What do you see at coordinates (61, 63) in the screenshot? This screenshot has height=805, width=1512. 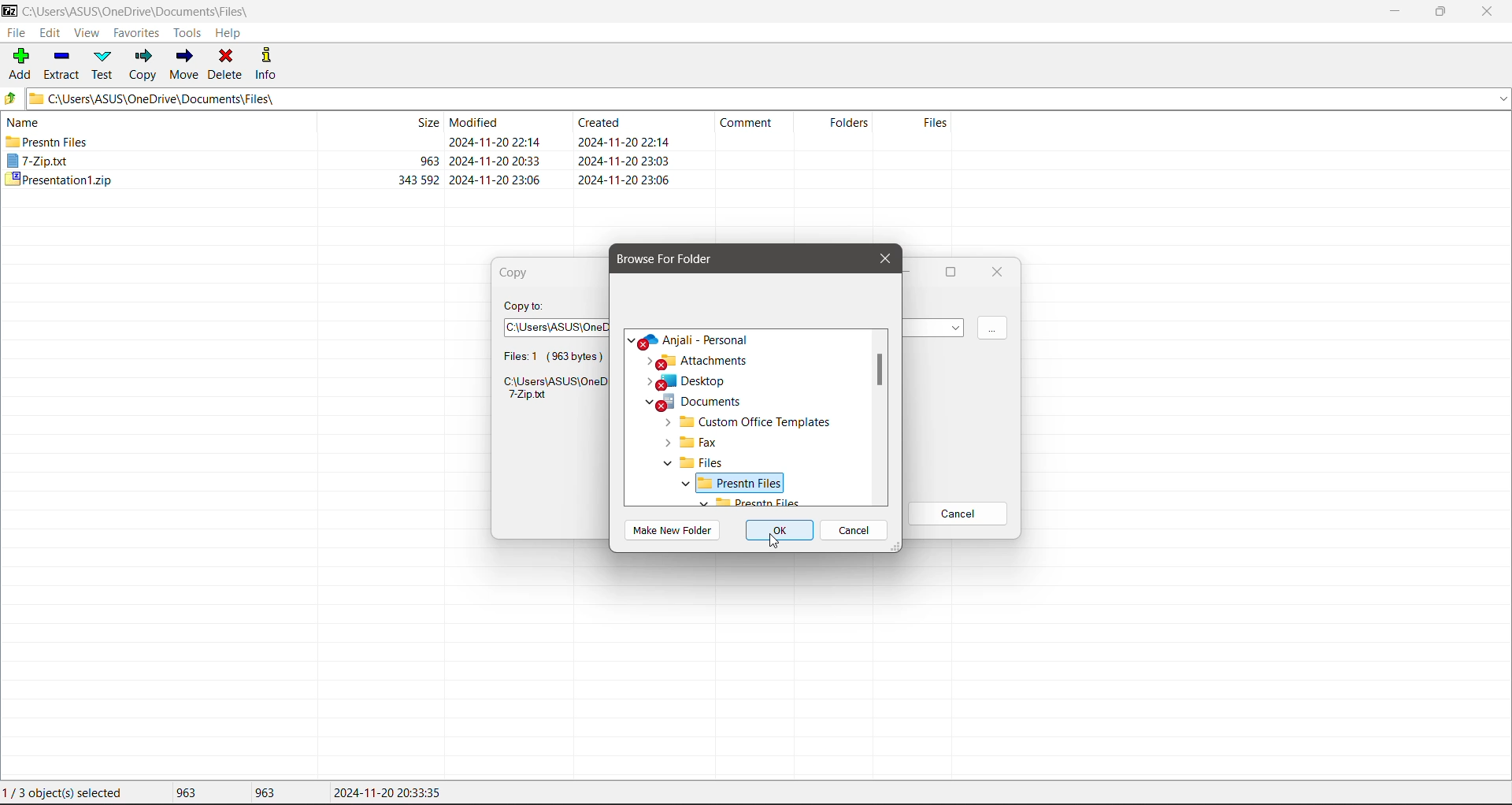 I see `Extract` at bounding box center [61, 63].